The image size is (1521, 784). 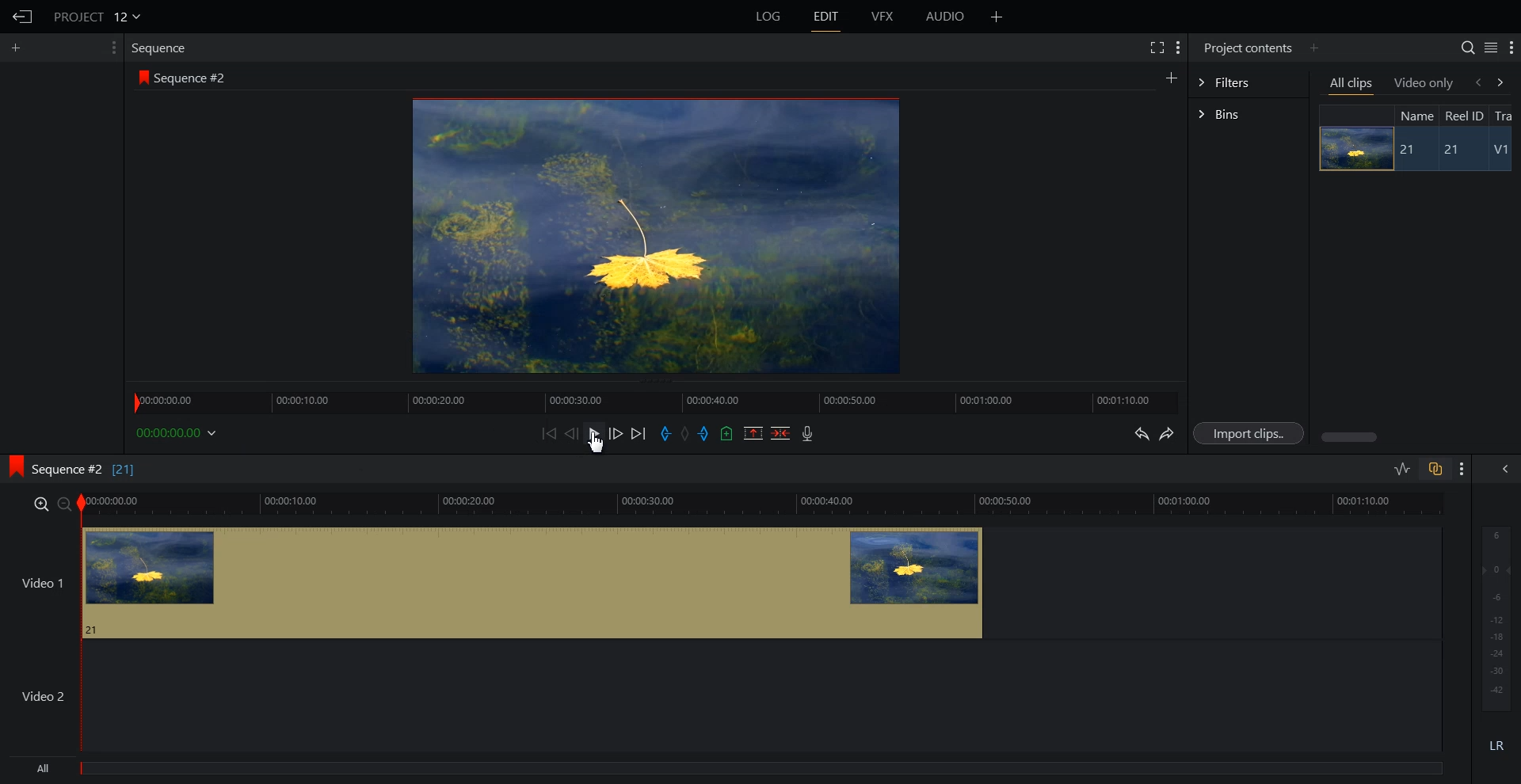 What do you see at coordinates (1351, 148) in the screenshot?
I see `Image` at bounding box center [1351, 148].